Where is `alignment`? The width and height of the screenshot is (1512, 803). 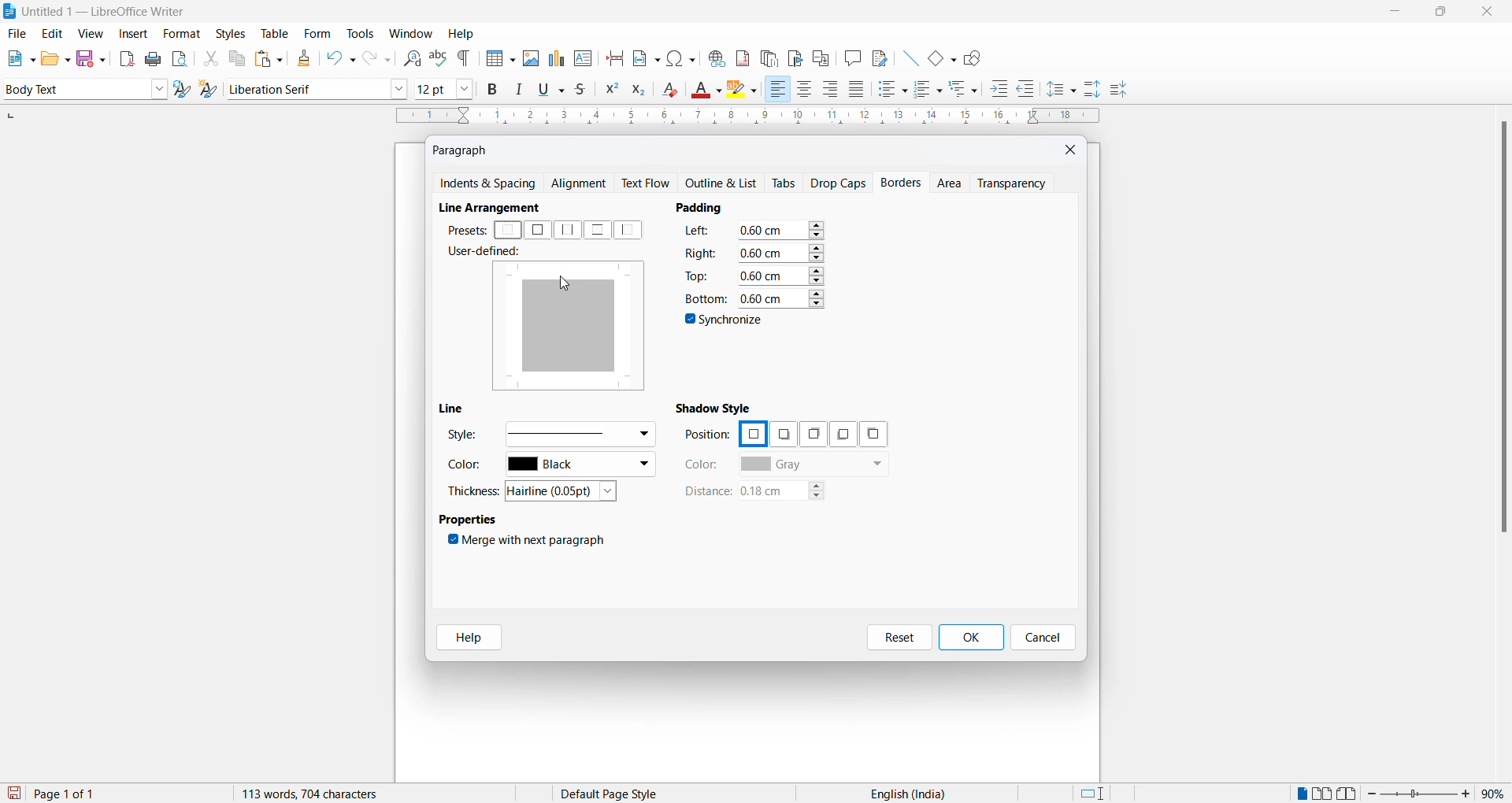
alignment is located at coordinates (583, 184).